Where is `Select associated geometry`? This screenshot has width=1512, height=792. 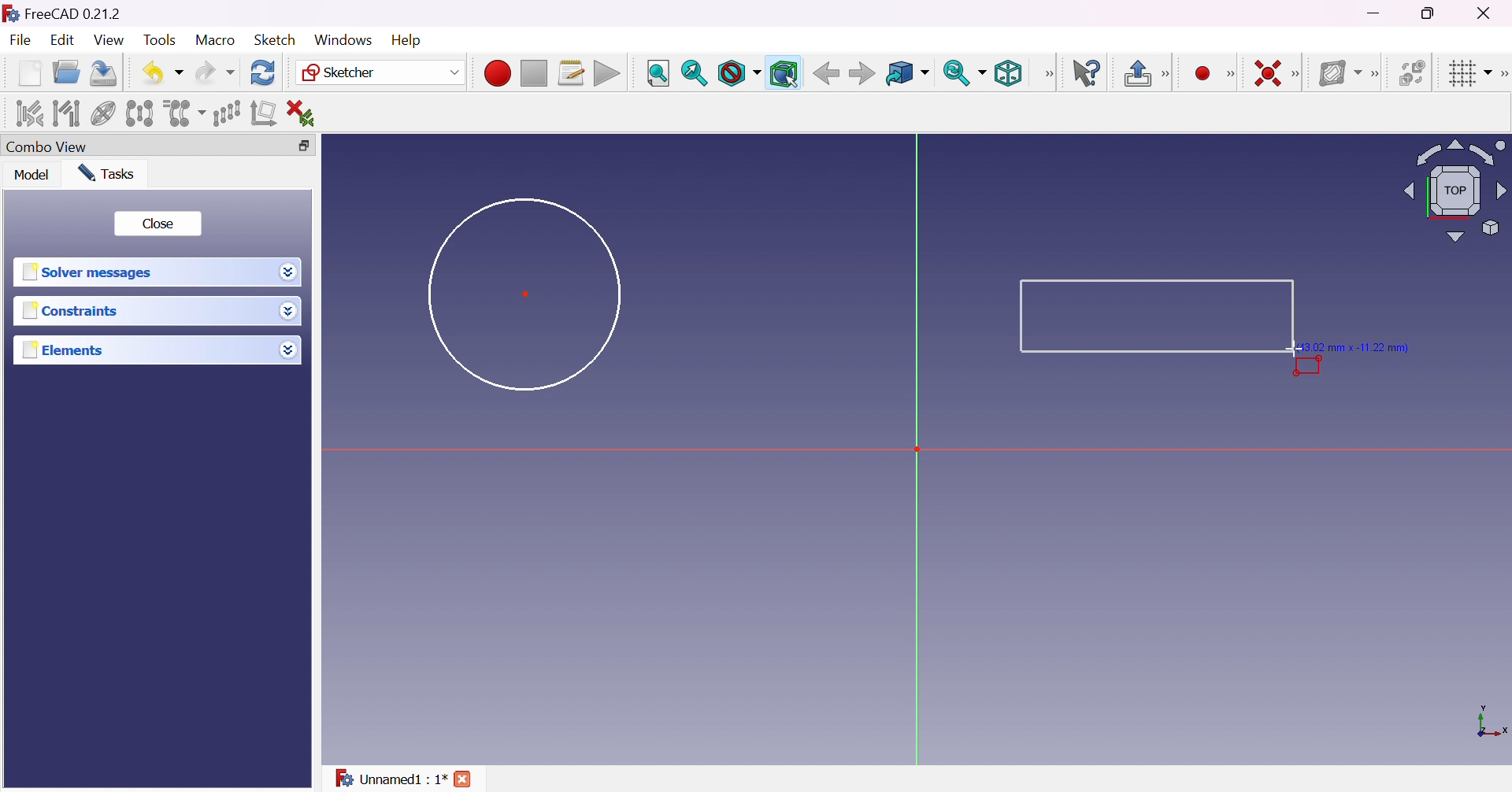
Select associated geometry is located at coordinates (67, 112).